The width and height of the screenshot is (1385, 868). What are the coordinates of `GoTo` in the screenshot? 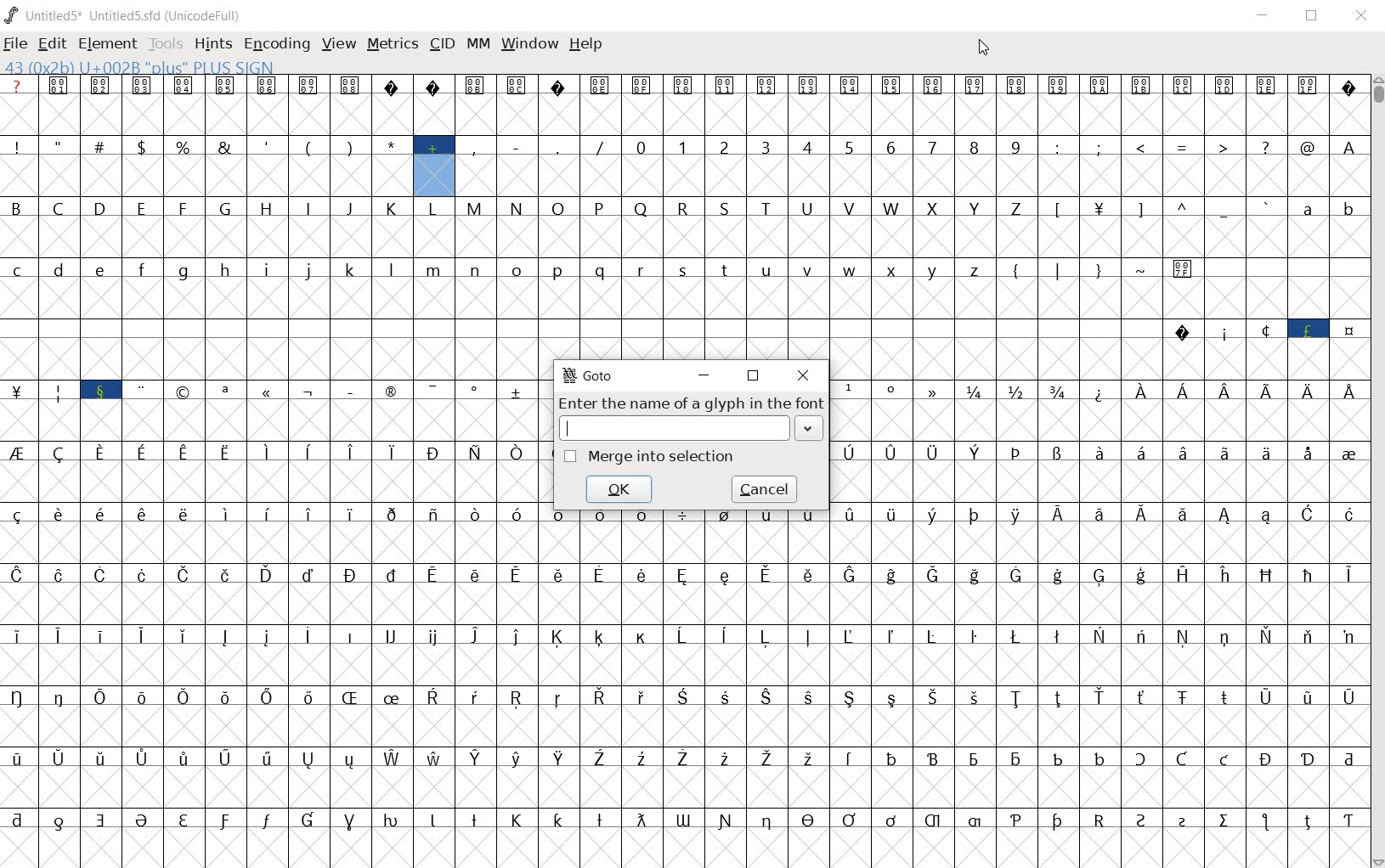 It's located at (591, 375).